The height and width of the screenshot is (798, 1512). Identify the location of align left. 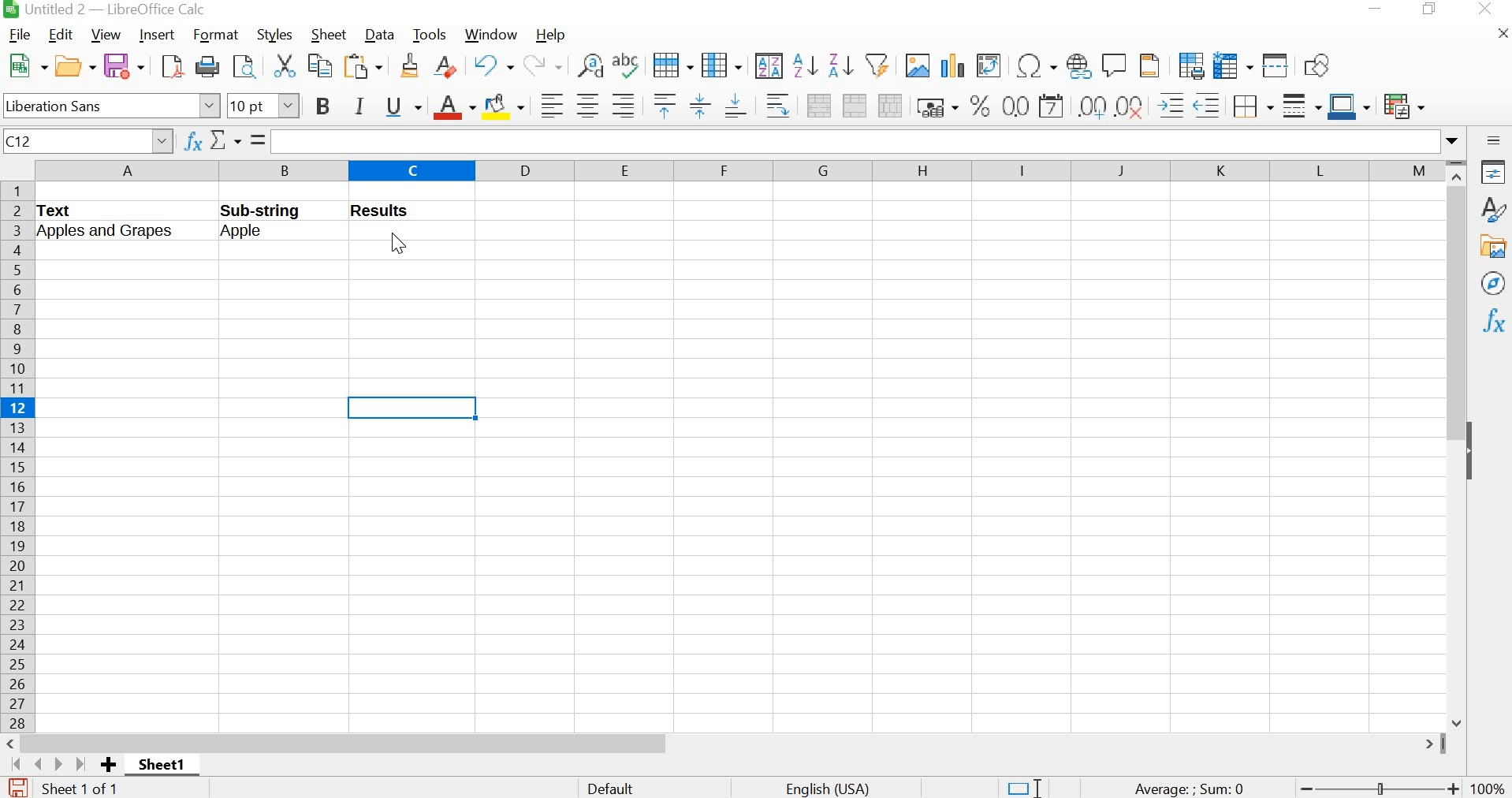
(549, 104).